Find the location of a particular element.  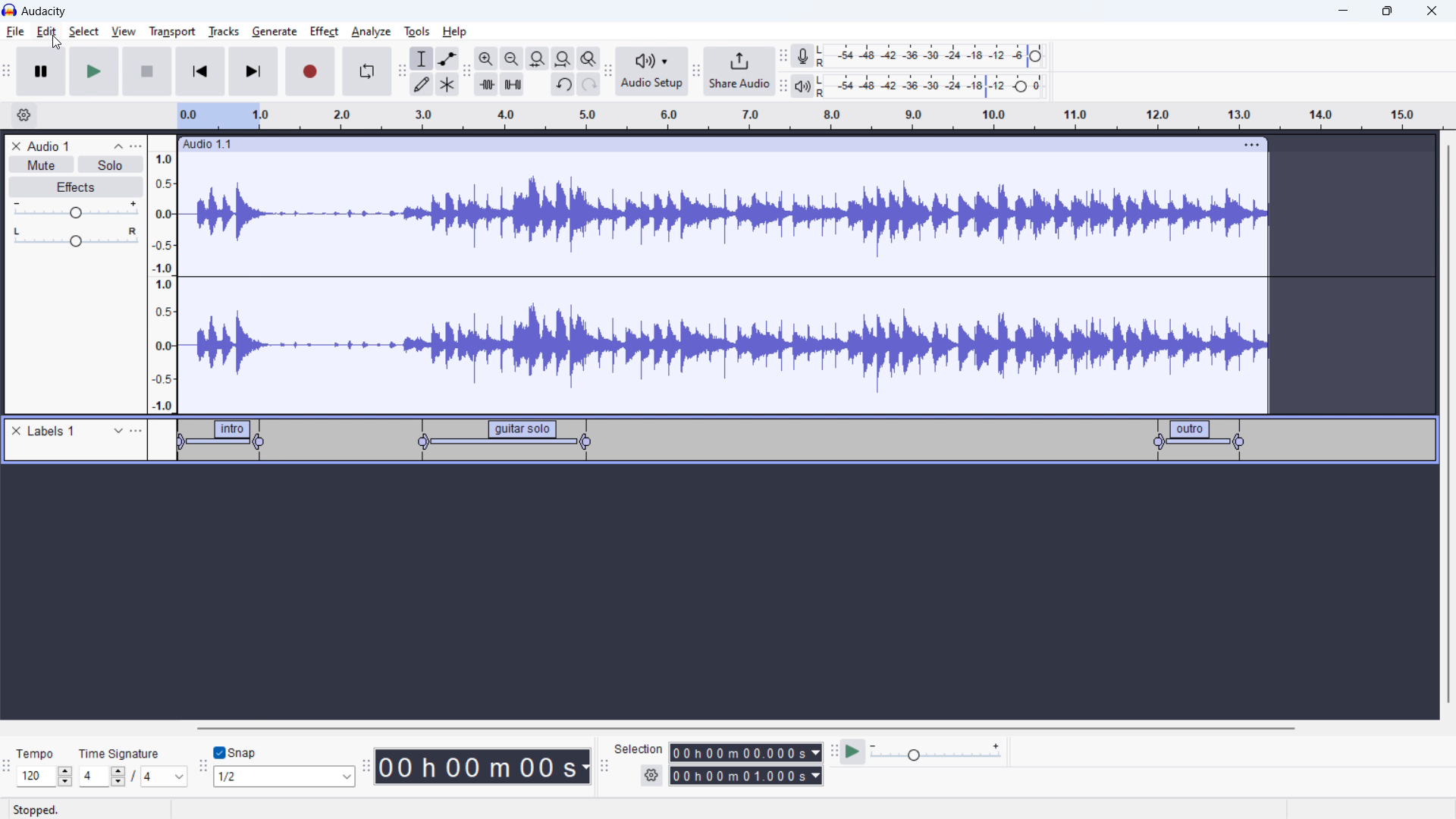

silence audio selection is located at coordinates (513, 84).